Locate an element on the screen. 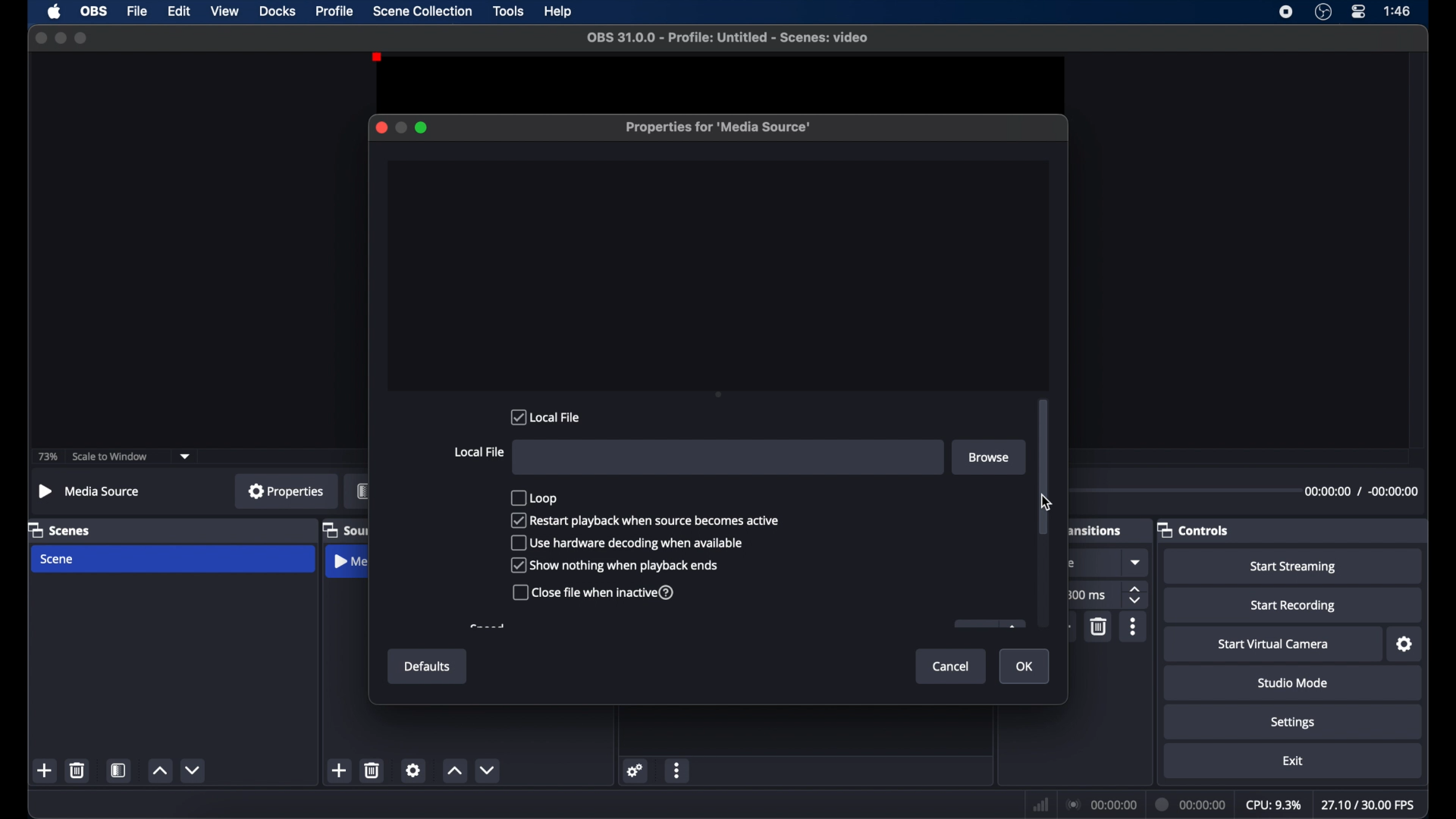 This screenshot has height=819, width=1456. browse is located at coordinates (990, 457).